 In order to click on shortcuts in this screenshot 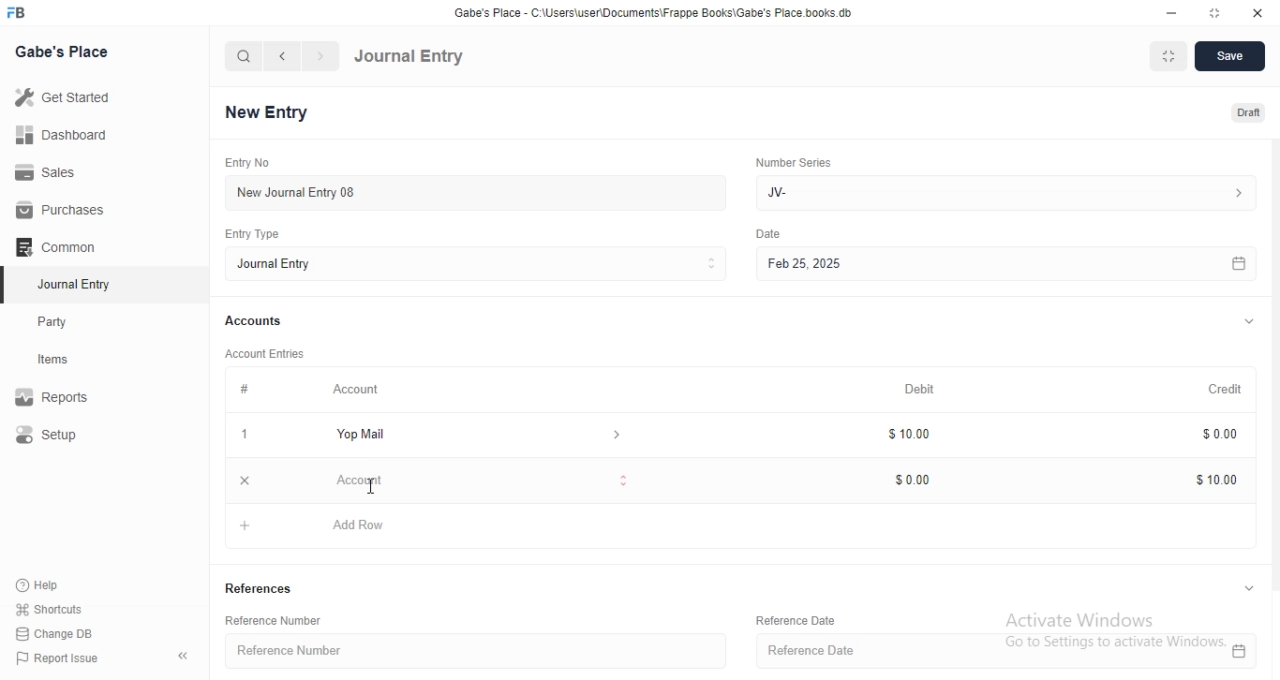, I will do `click(62, 608)`.